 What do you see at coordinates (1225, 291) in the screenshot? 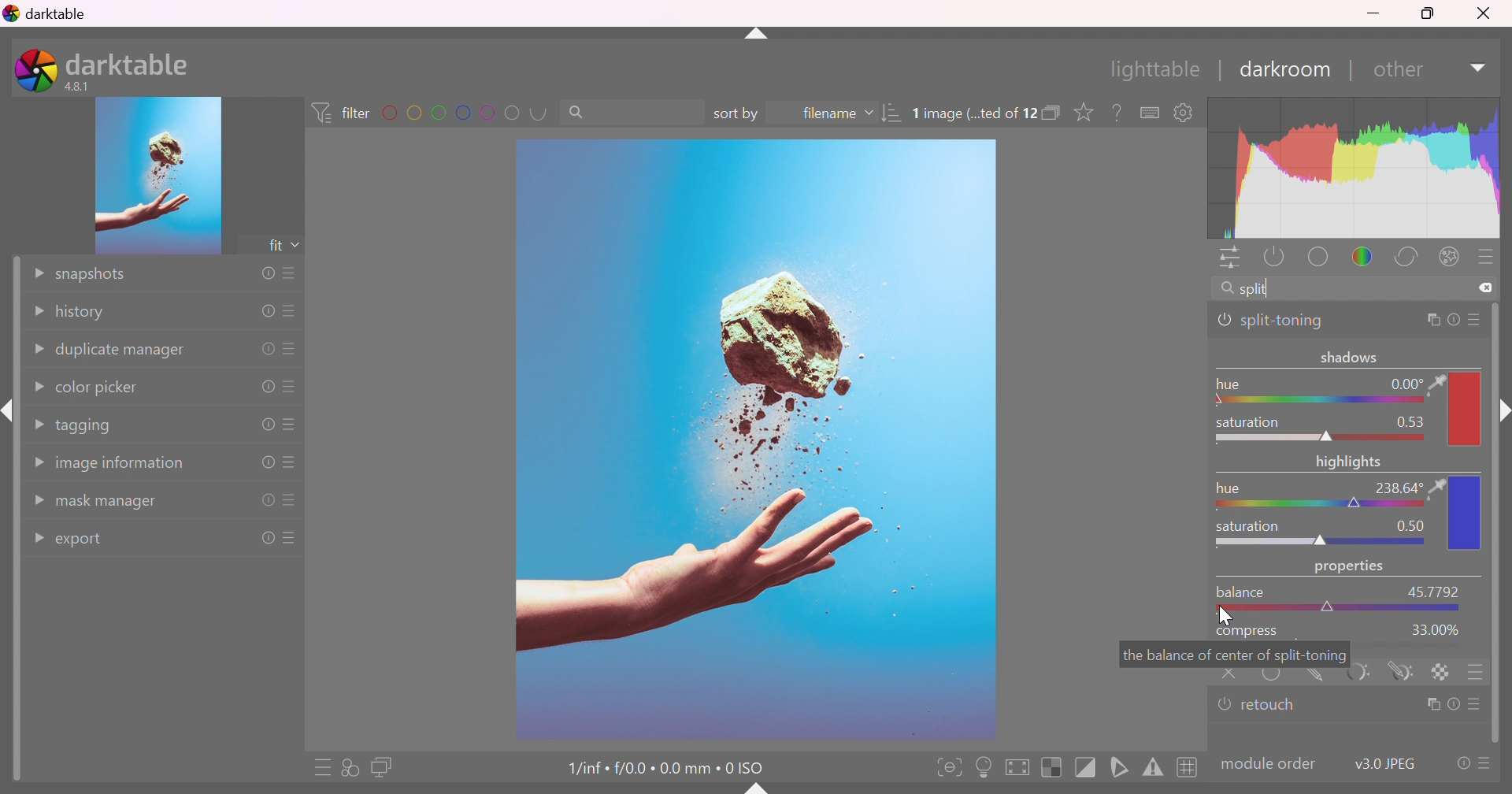
I see `search` at bounding box center [1225, 291].